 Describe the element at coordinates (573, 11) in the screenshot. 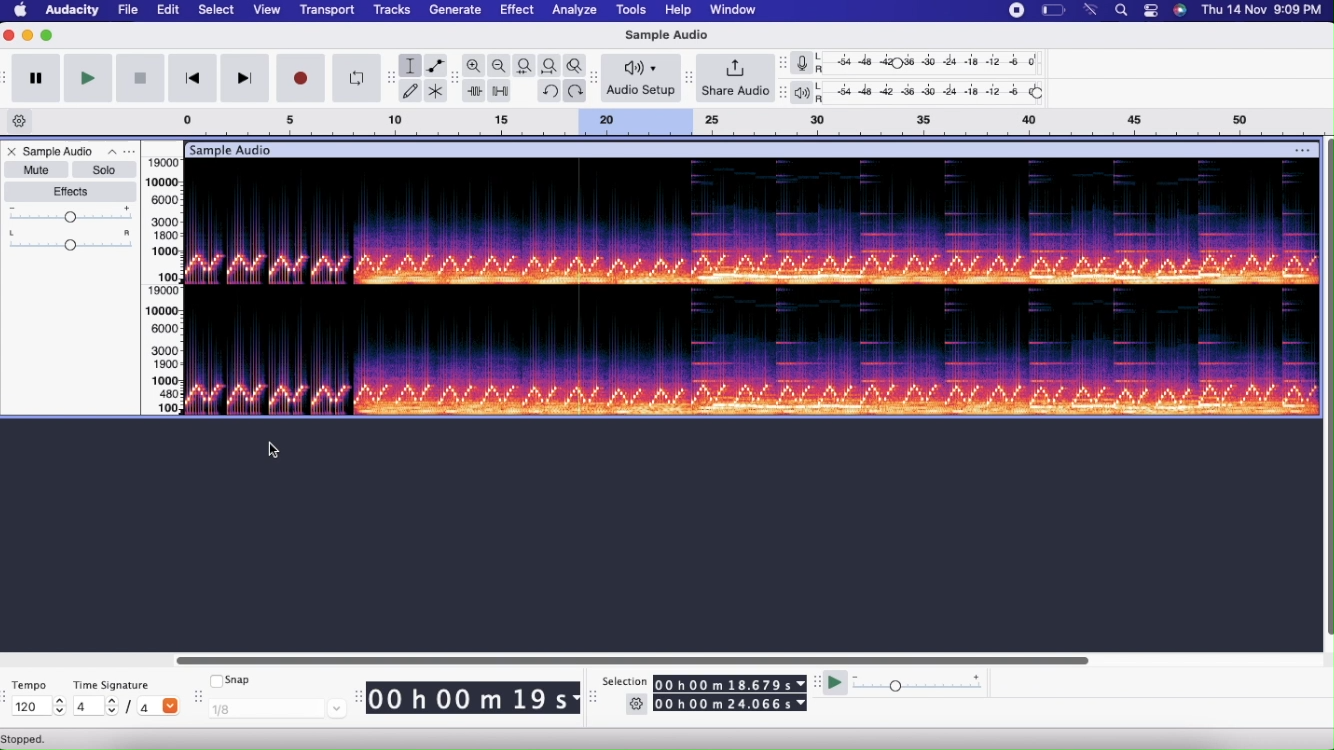

I see `Analyze` at that location.